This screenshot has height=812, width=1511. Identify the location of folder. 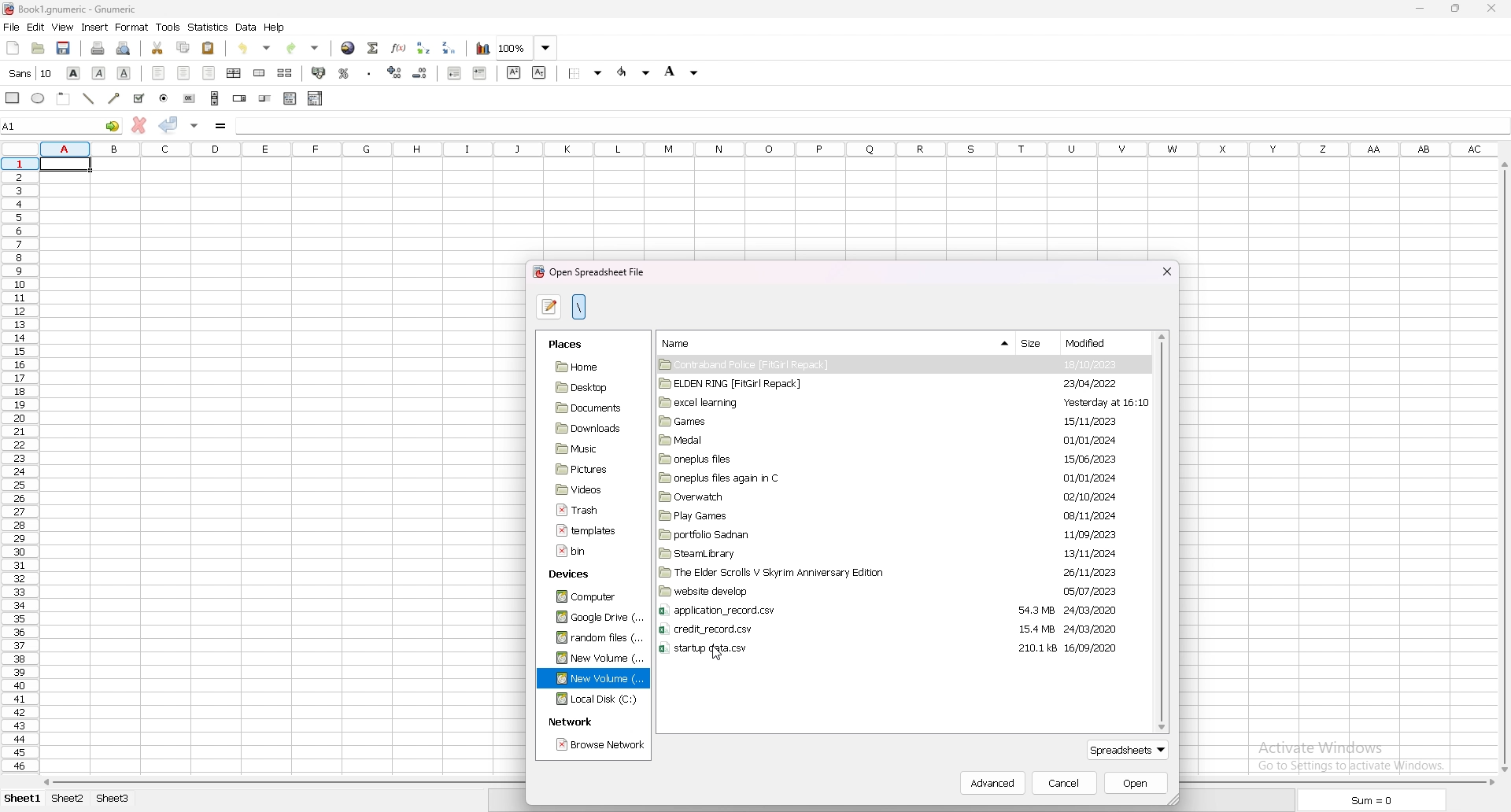
(586, 489).